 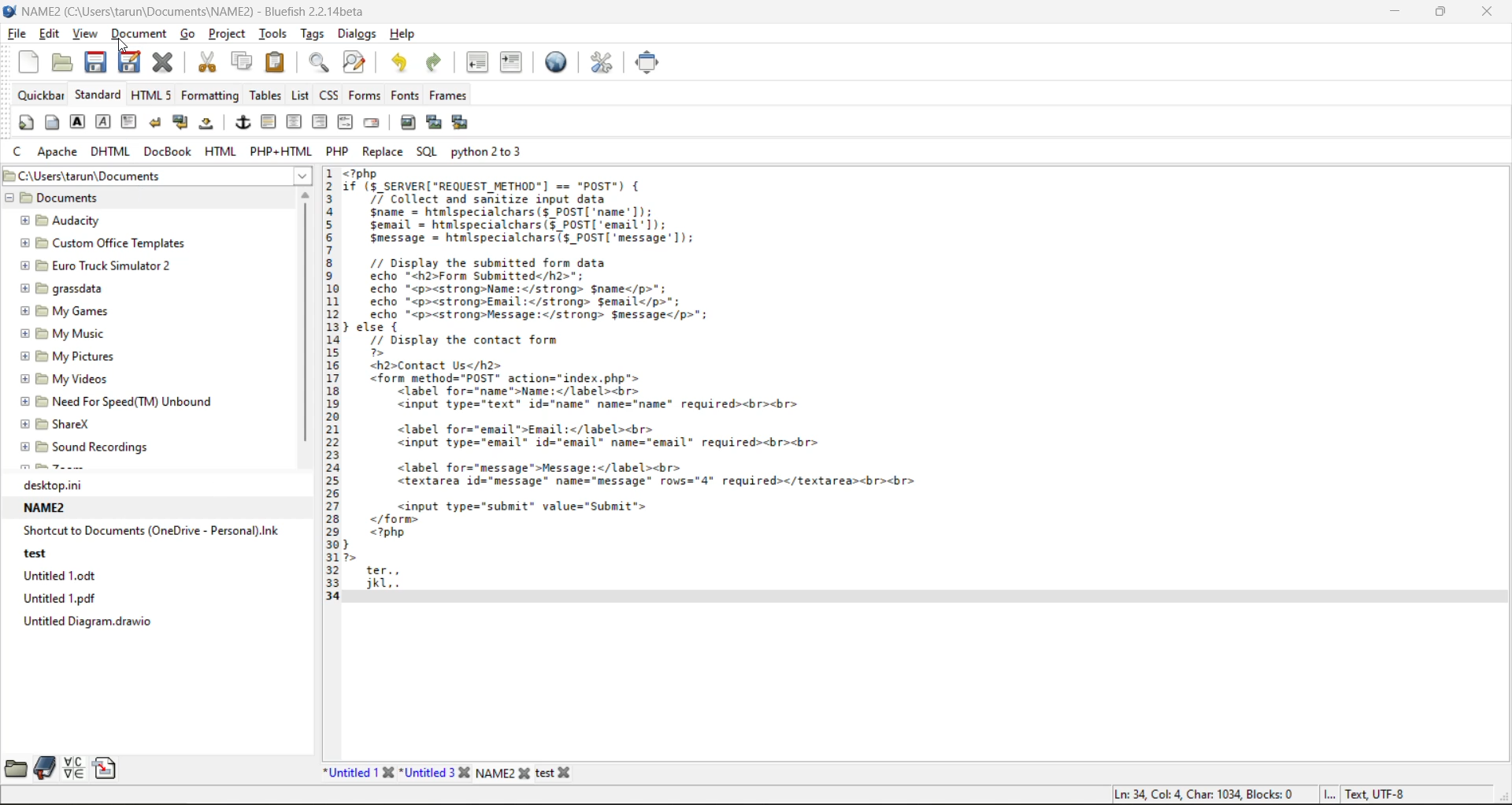 I want to click on edit, so click(x=52, y=35).